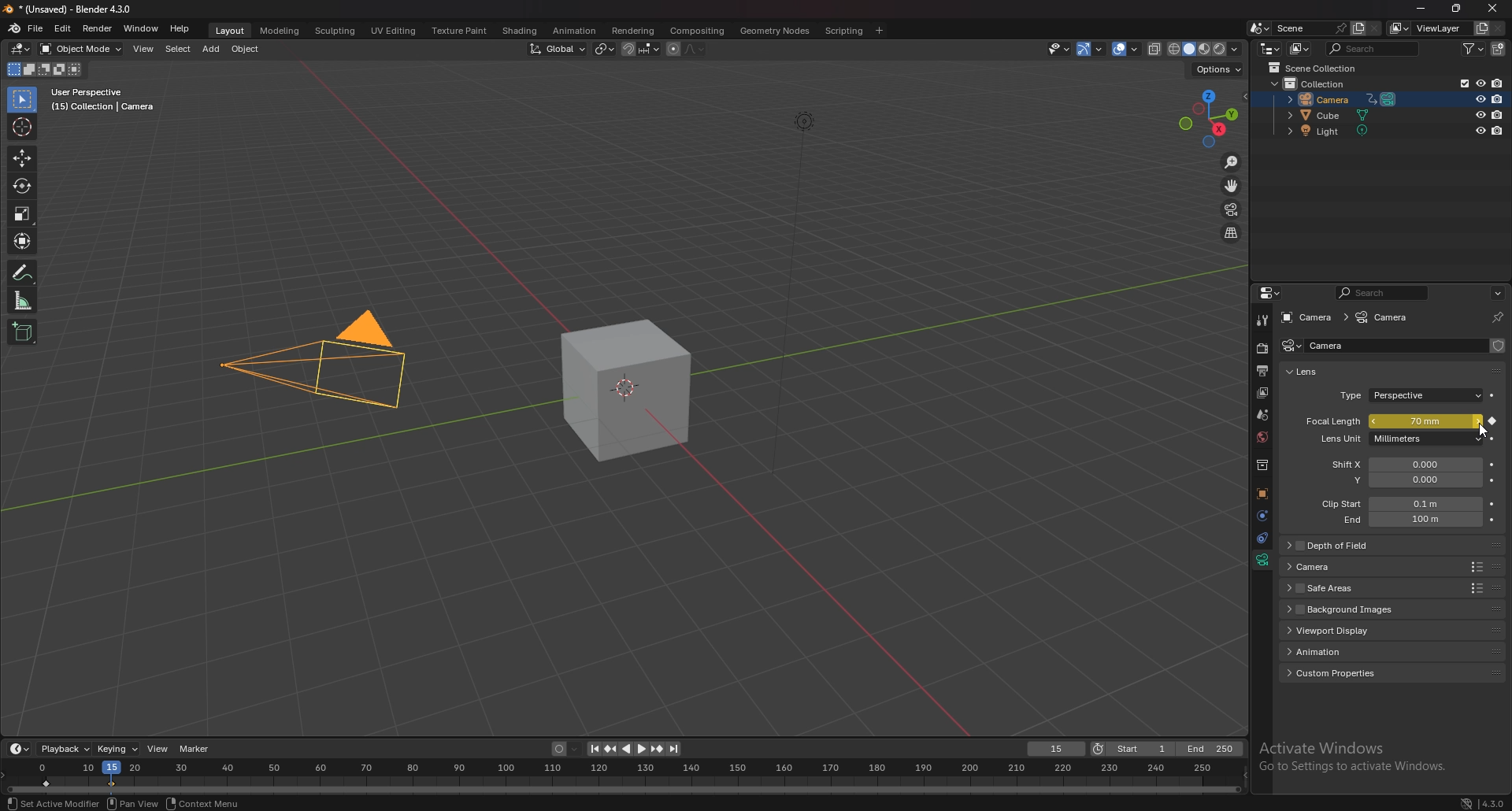 The width and height of the screenshot is (1512, 811). What do you see at coordinates (1263, 438) in the screenshot?
I see `world` at bounding box center [1263, 438].